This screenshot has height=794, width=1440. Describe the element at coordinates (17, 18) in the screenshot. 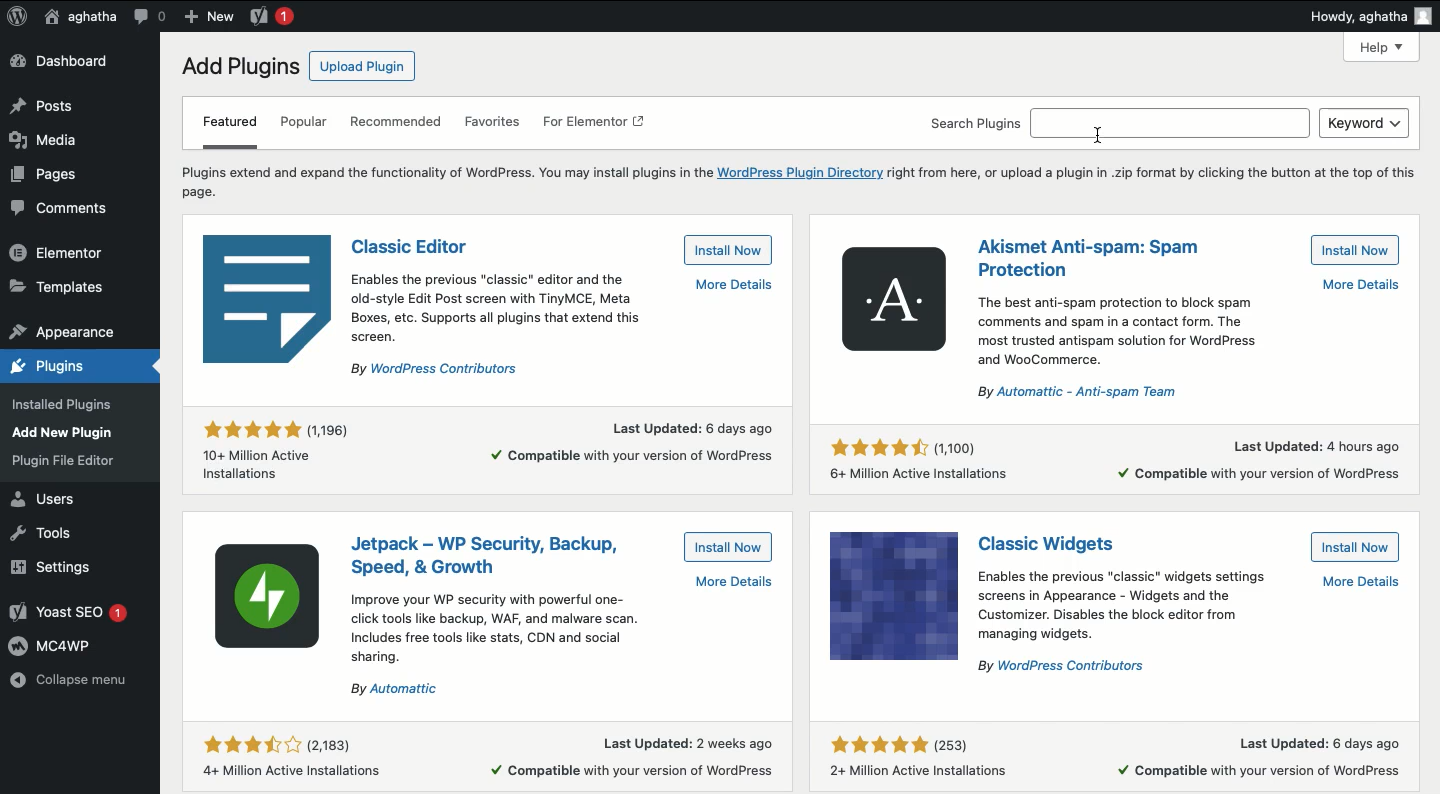

I see `Logo` at that location.